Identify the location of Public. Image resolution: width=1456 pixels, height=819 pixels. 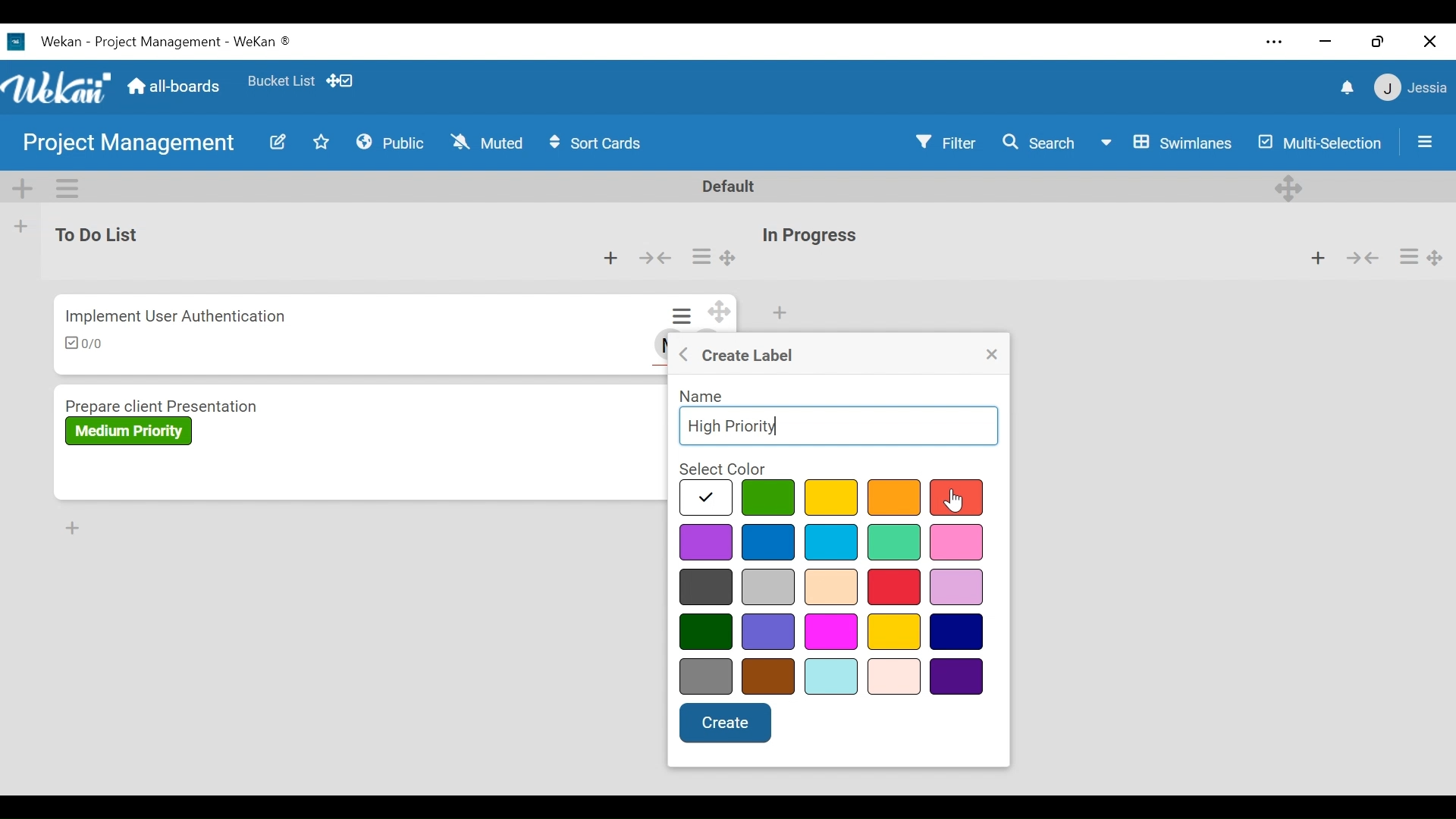
(391, 141).